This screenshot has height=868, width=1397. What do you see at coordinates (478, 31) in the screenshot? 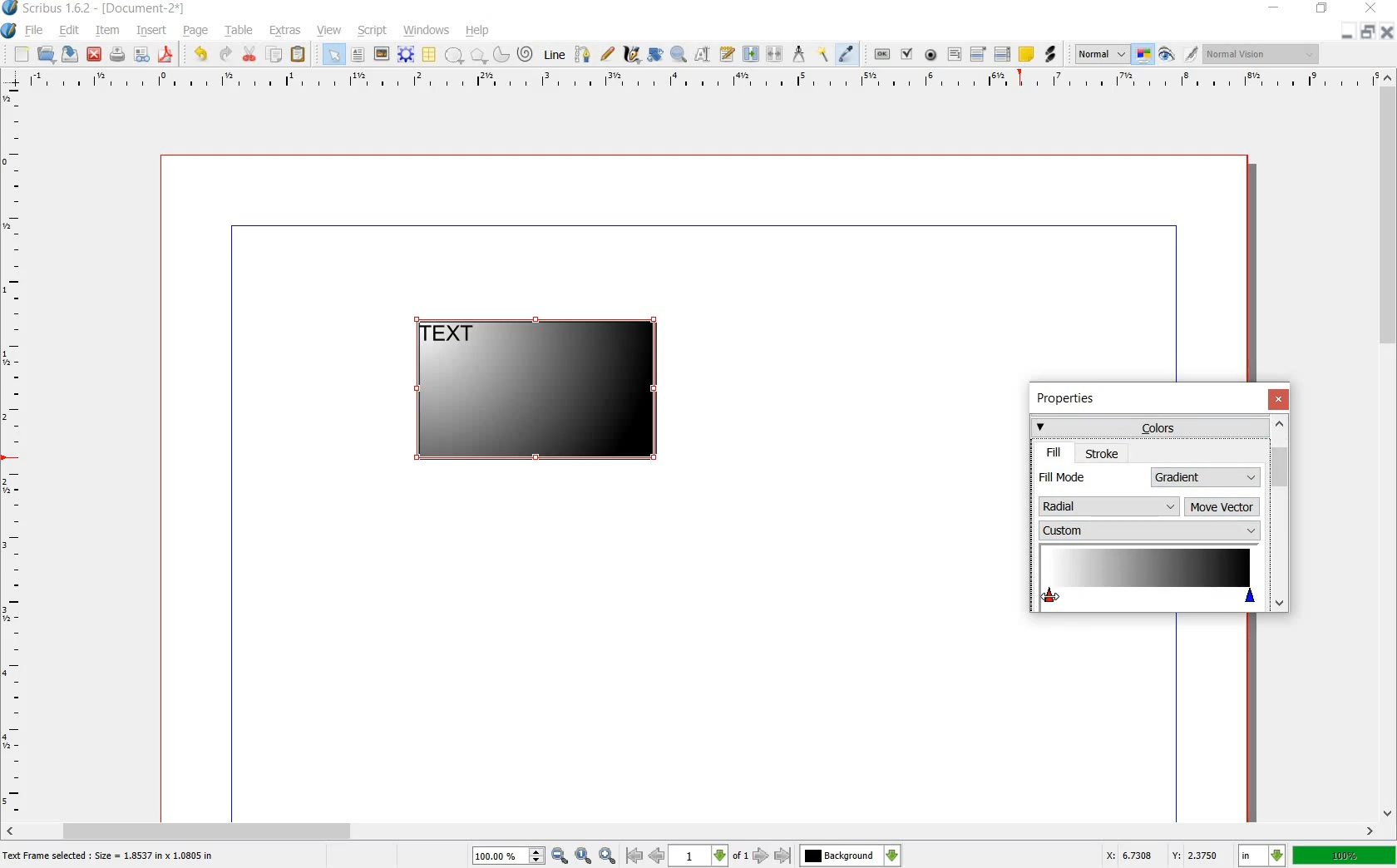
I see `help` at bounding box center [478, 31].